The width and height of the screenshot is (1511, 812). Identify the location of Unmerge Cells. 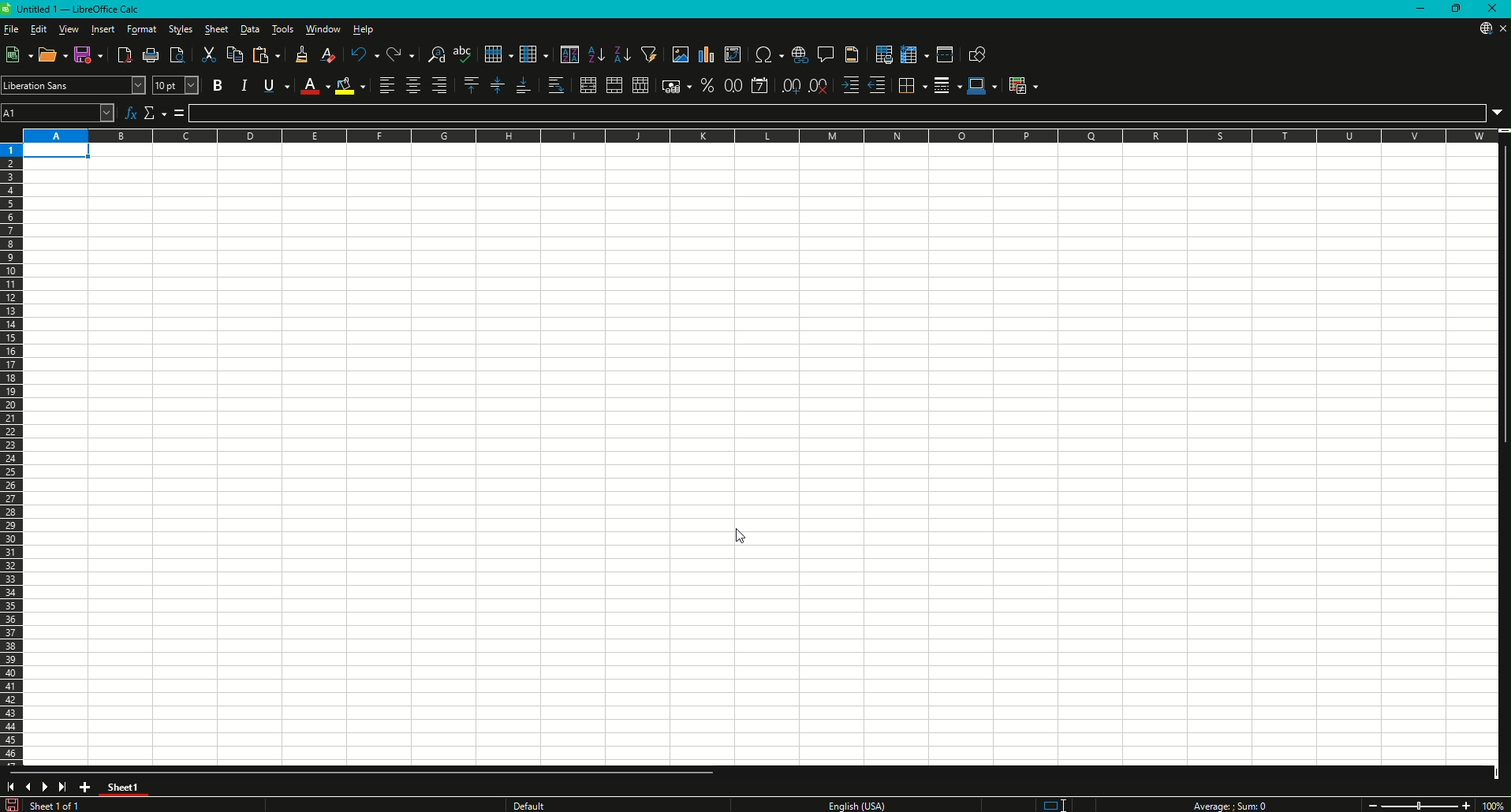
(640, 85).